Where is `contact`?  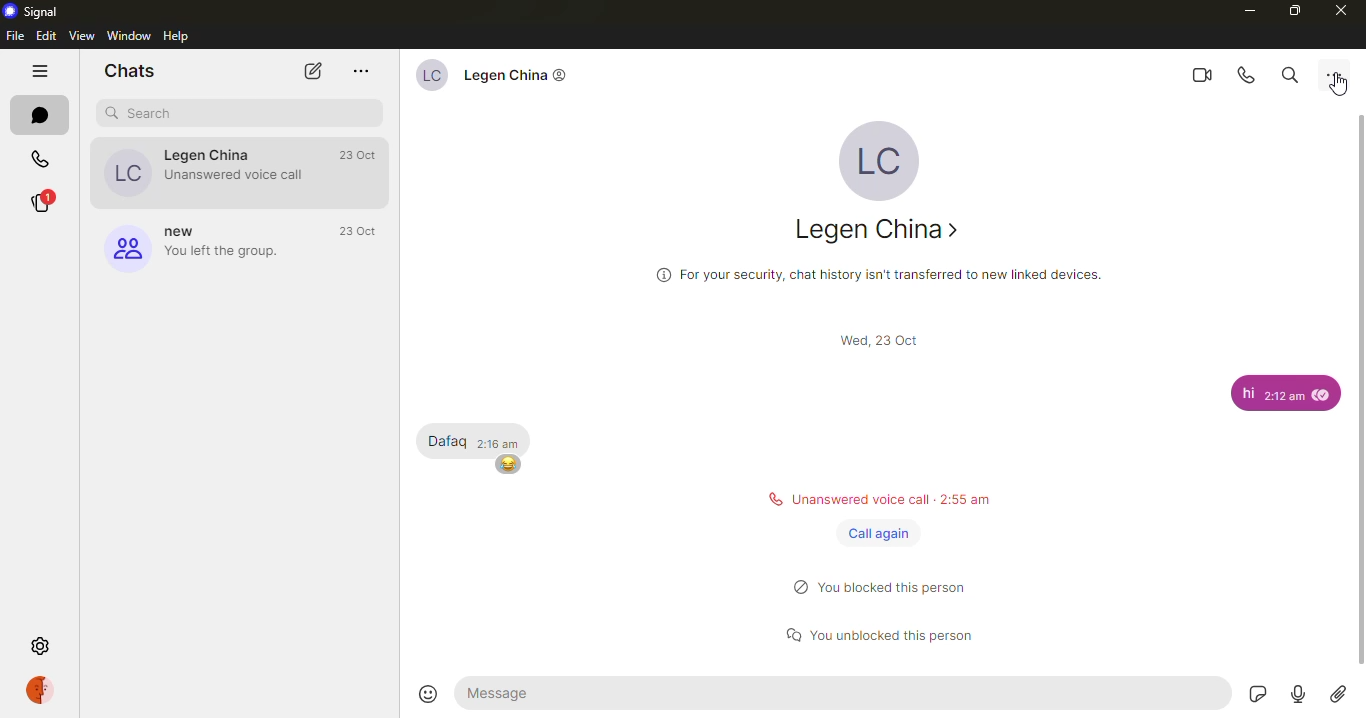
contact is located at coordinates (495, 79).